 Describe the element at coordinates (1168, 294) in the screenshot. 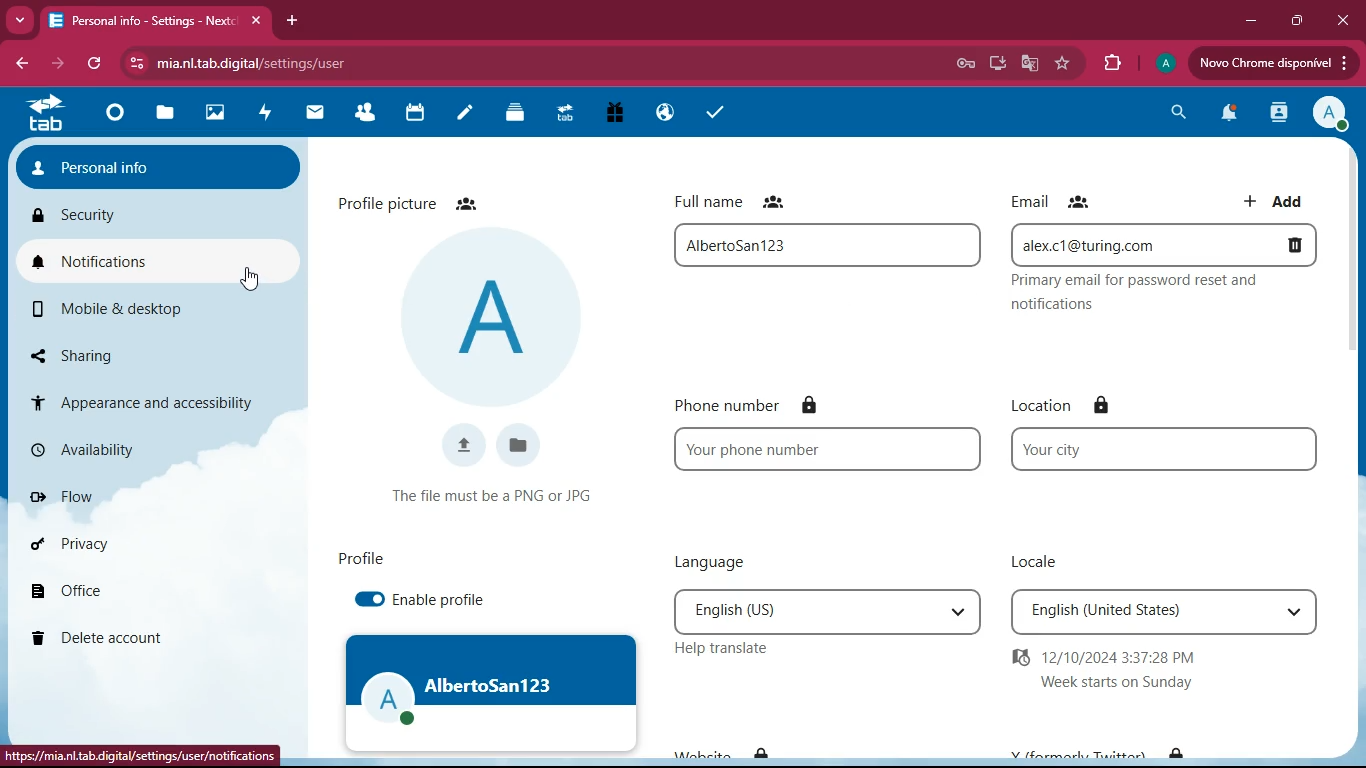

I see `description` at that location.